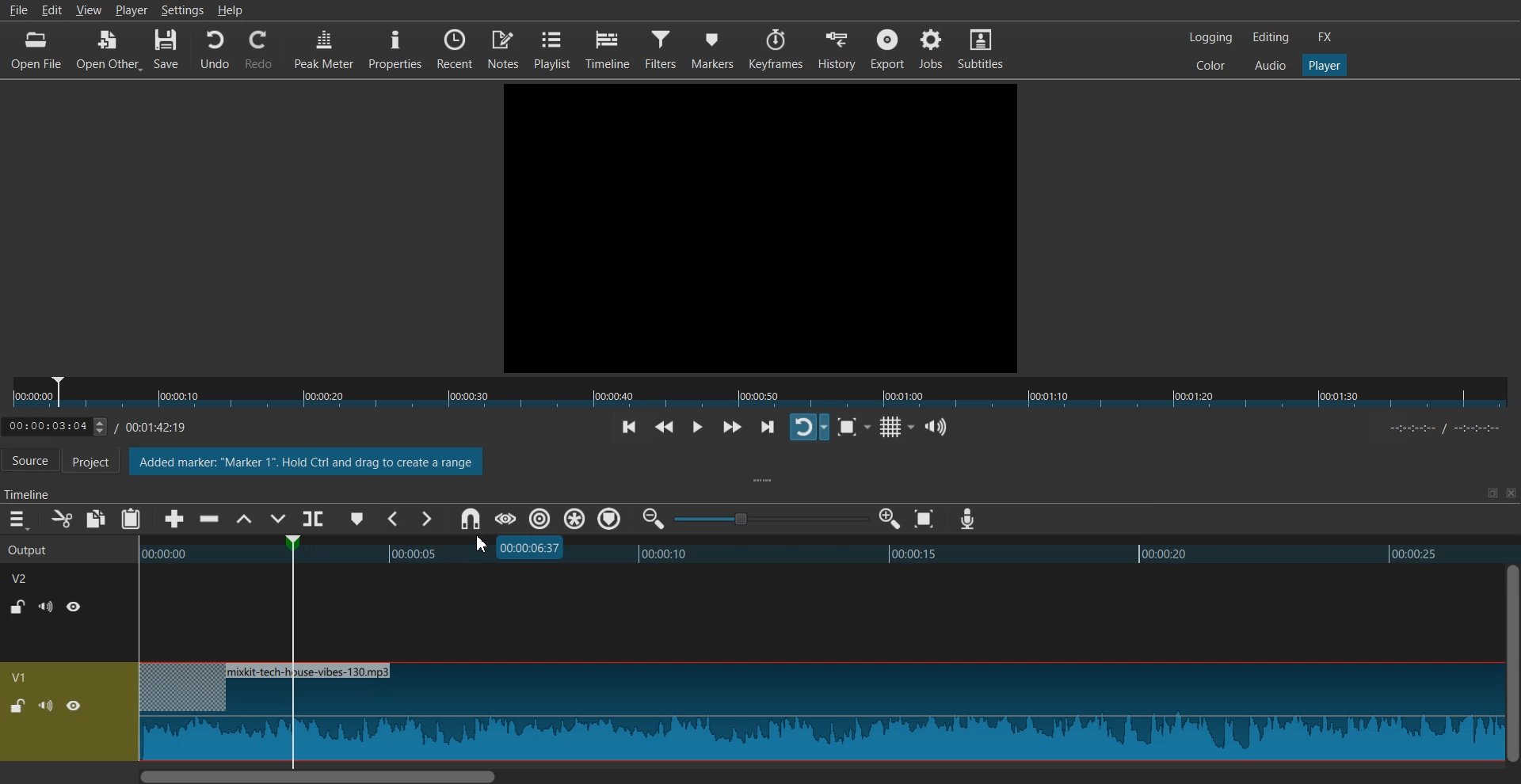 The width and height of the screenshot is (1521, 784). Describe the element at coordinates (1210, 64) in the screenshot. I see `Colors` at that location.